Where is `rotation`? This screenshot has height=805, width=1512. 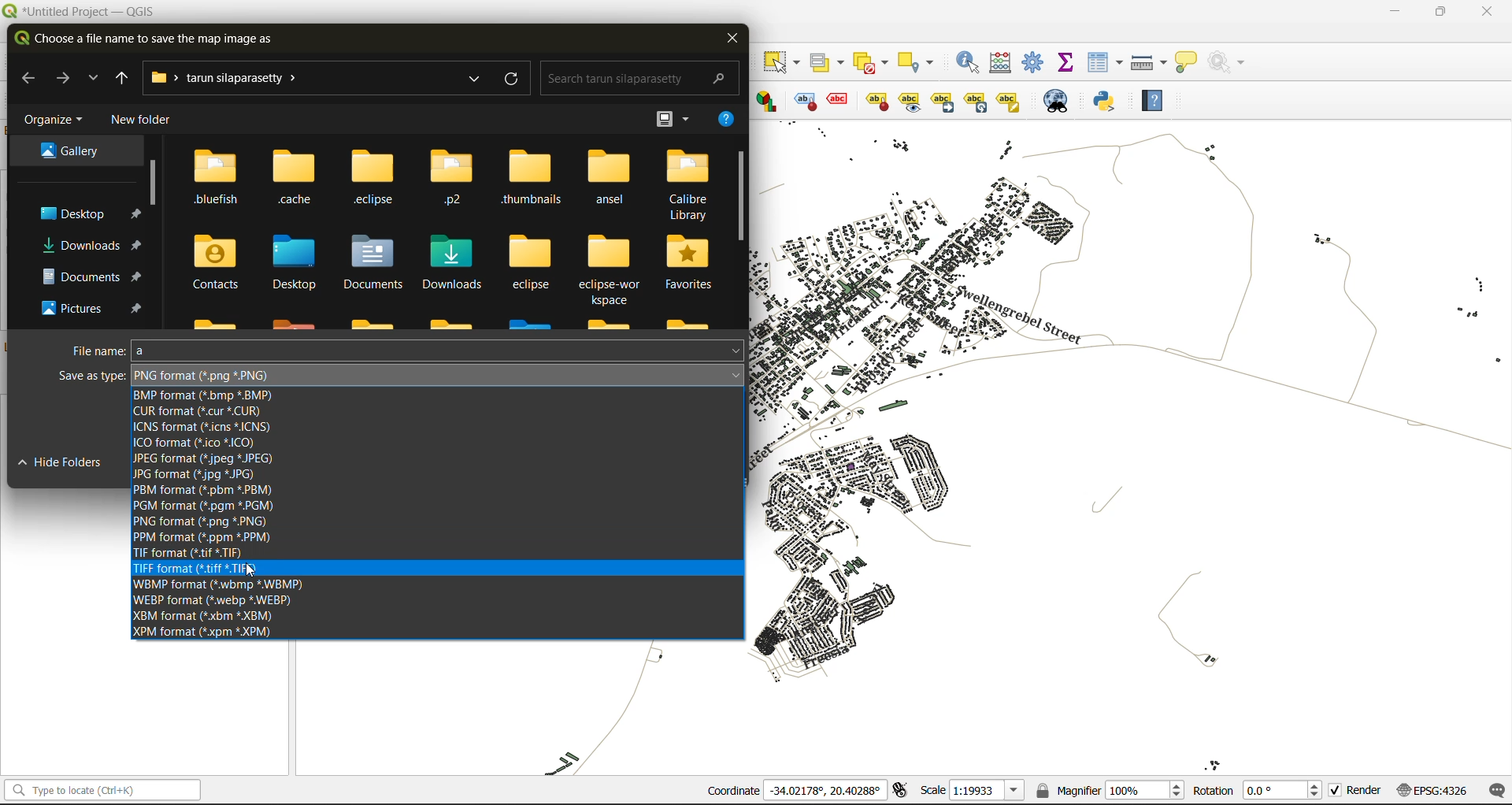 rotation is located at coordinates (1258, 789).